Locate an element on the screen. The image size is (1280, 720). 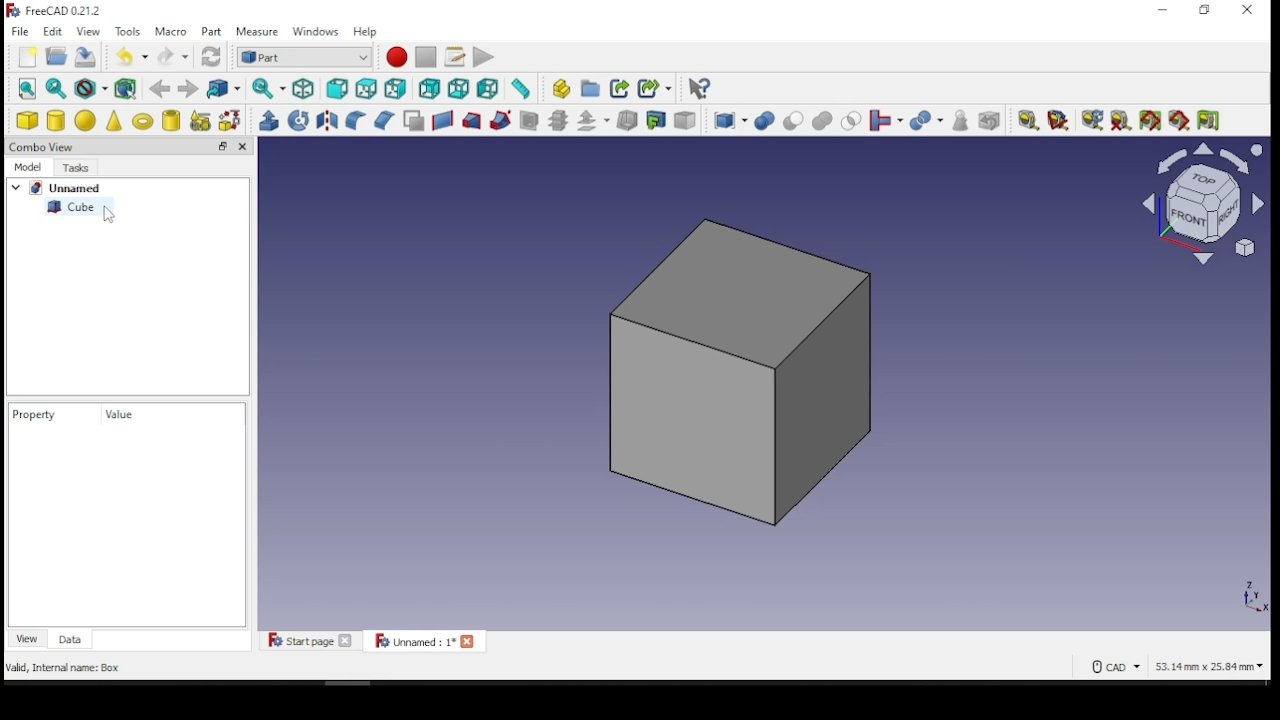
top is located at coordinates (369, 89).